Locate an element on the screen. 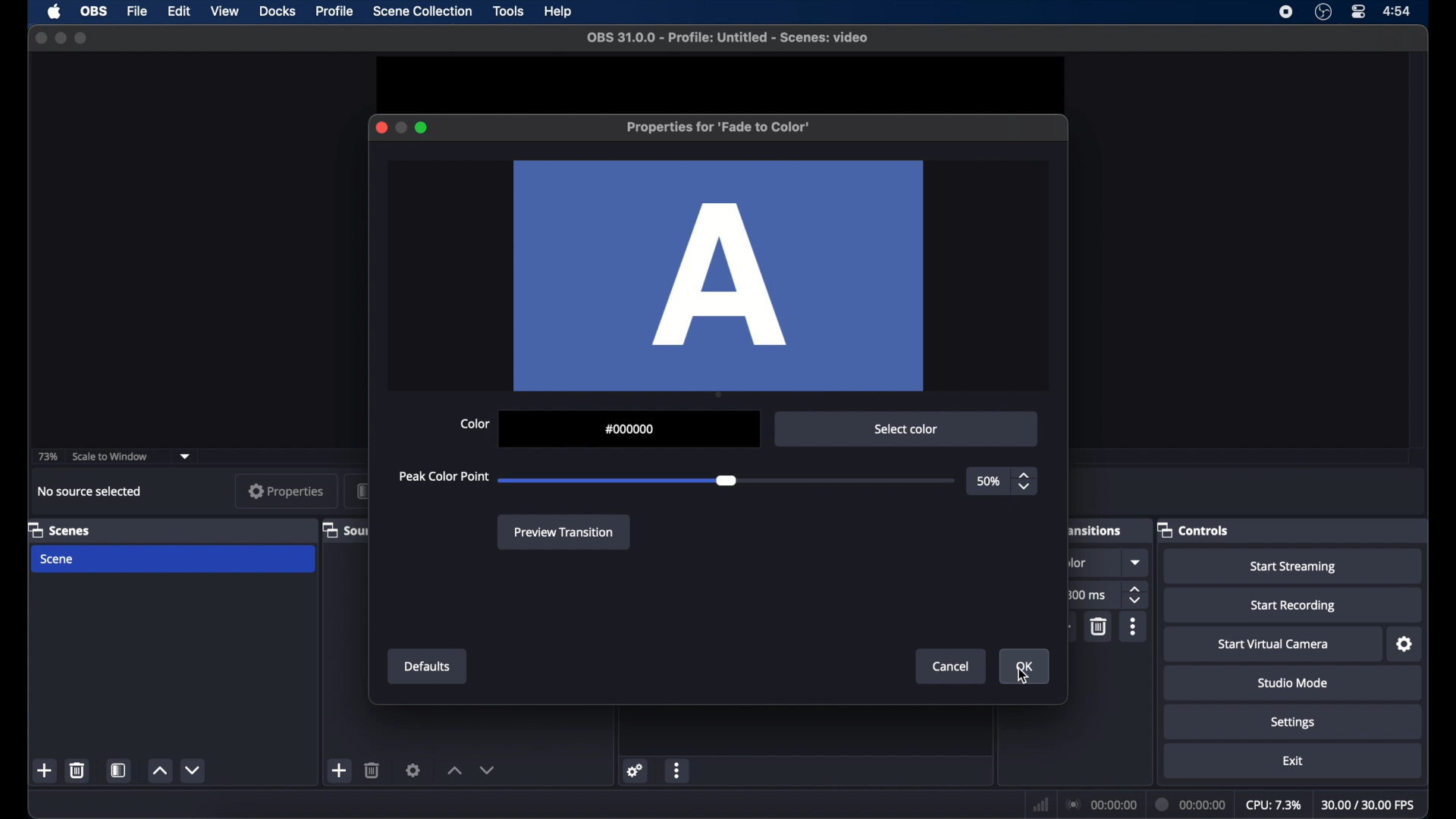  sources is located at coordinates (342, 529).